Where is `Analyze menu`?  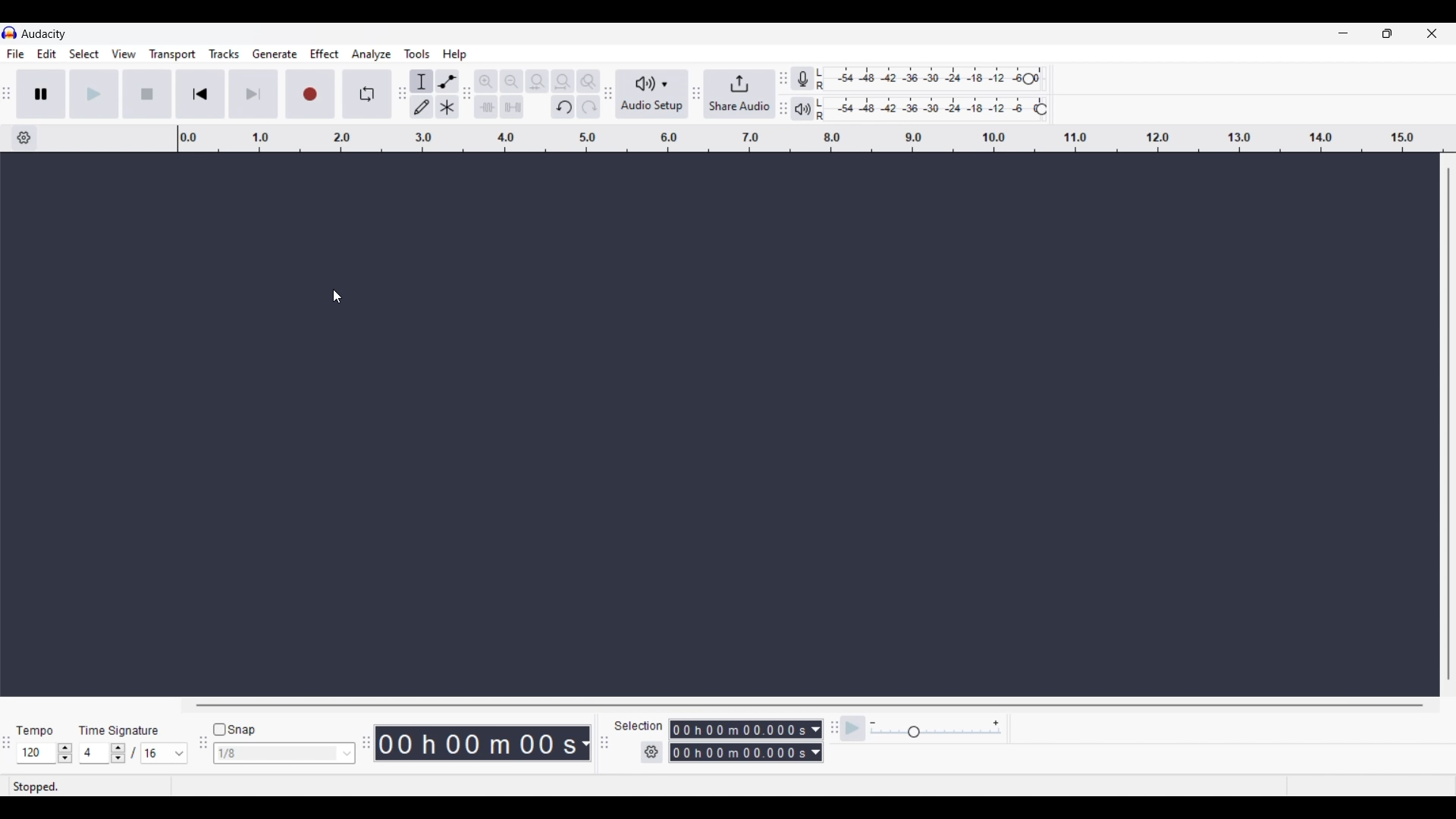 Analyze menu is located at coordinates (372, 54).